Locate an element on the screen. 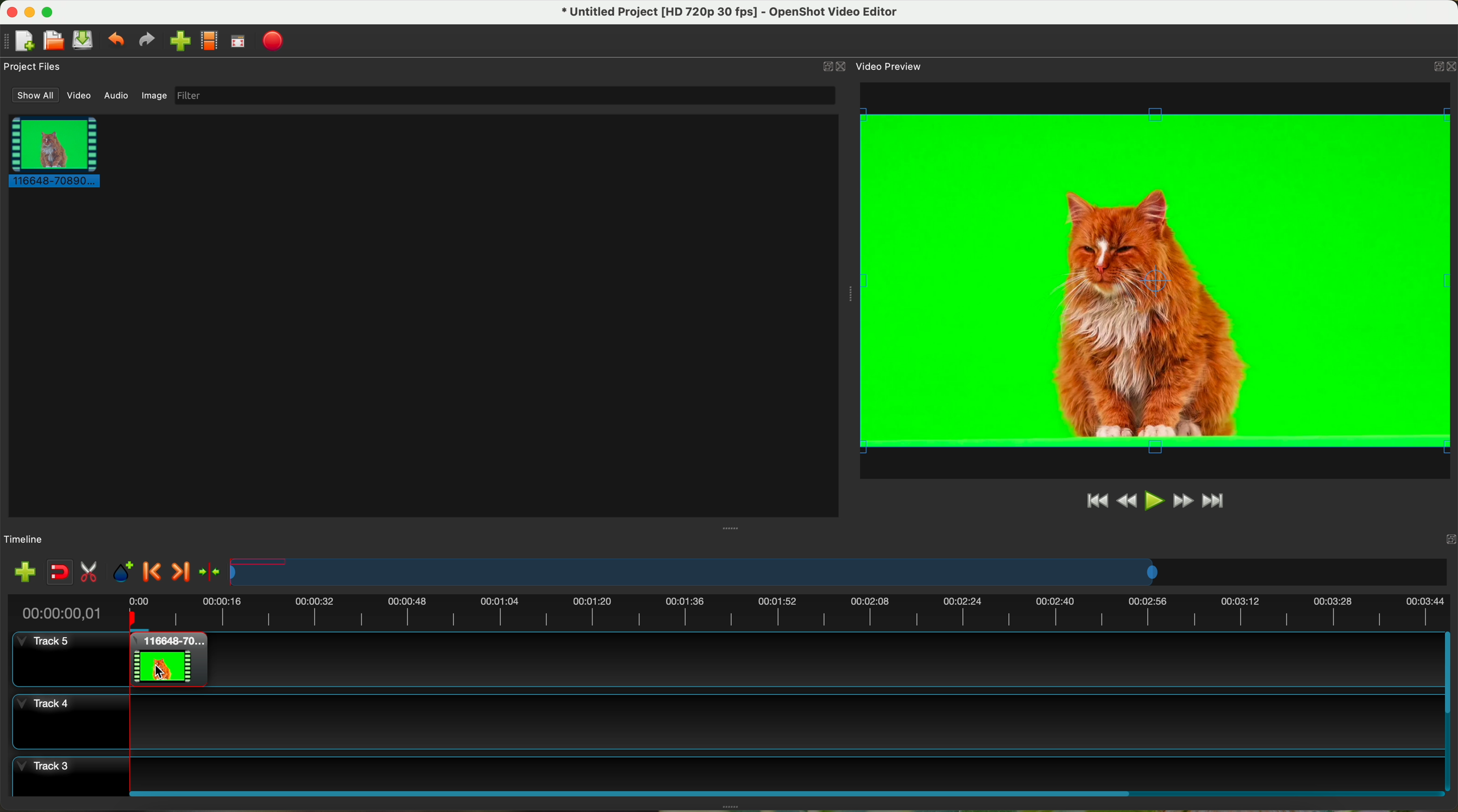  add mark is located at coordinates (123, 572).